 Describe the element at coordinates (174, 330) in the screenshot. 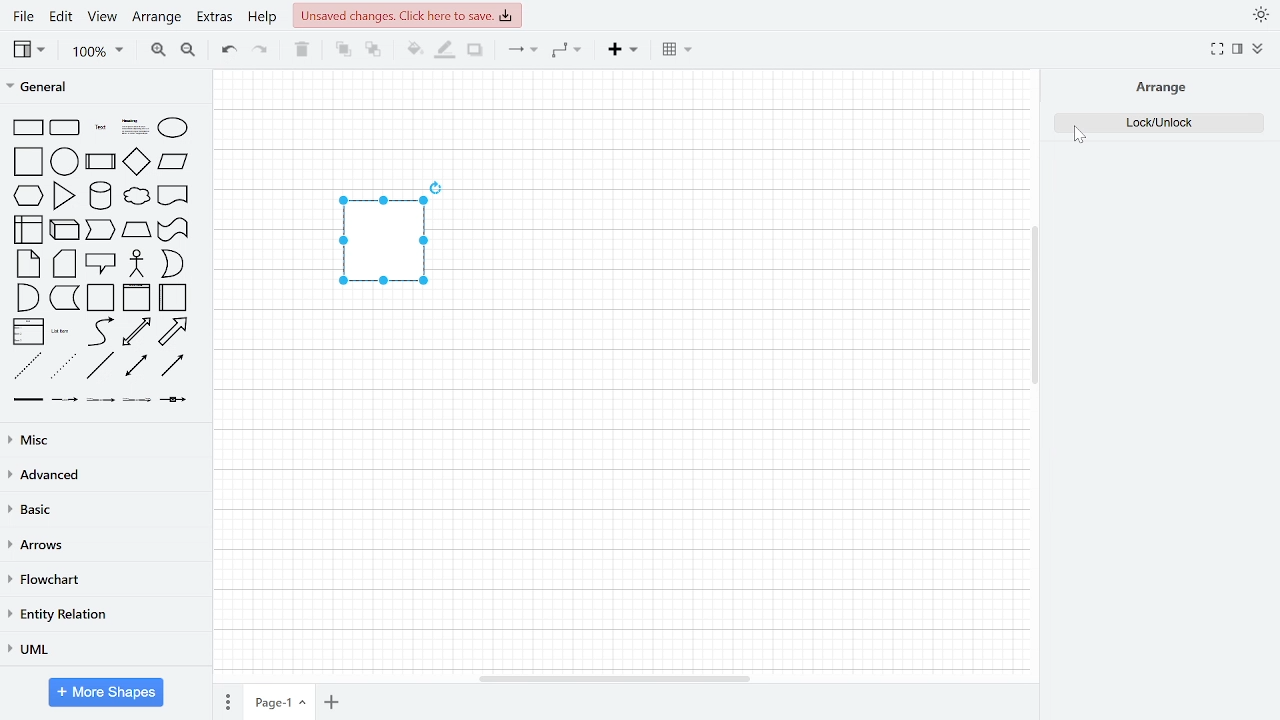

I see `arrow` at that location.